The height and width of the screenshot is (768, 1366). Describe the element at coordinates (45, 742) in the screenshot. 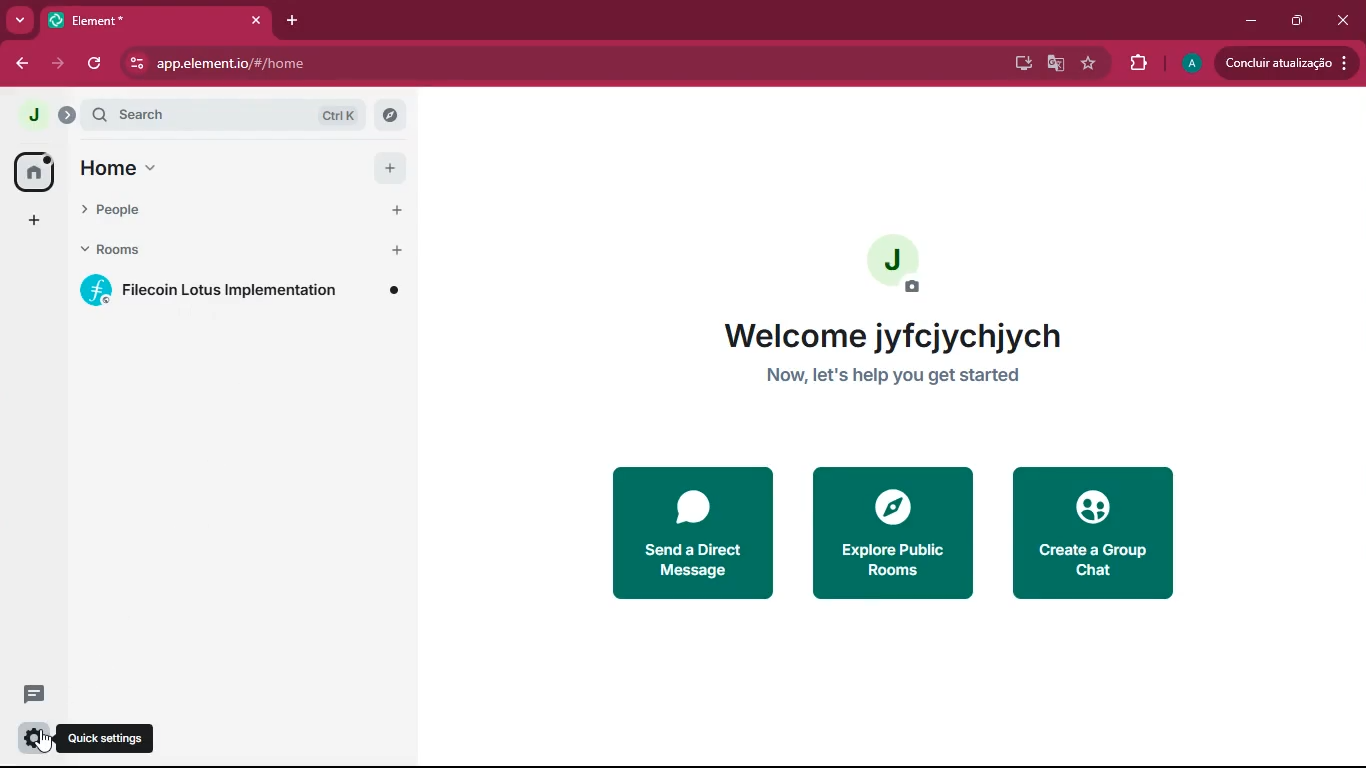

I see `Cursor` at that location.